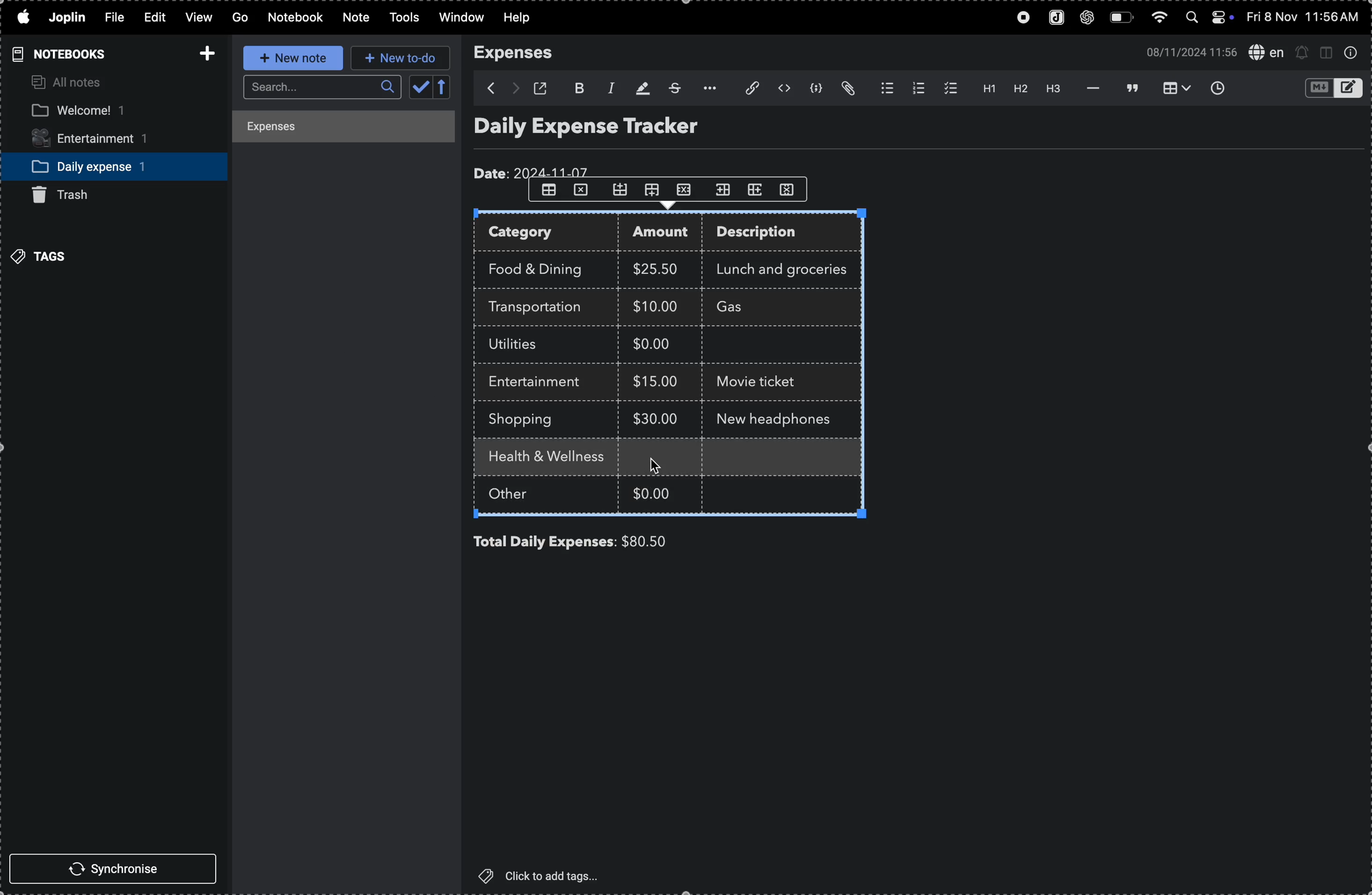 This screenshot has height=895, width=1372. What do you see at coordinates (149, 16) in the screenshot?
I see `edit` at bounding box center [149, 16].